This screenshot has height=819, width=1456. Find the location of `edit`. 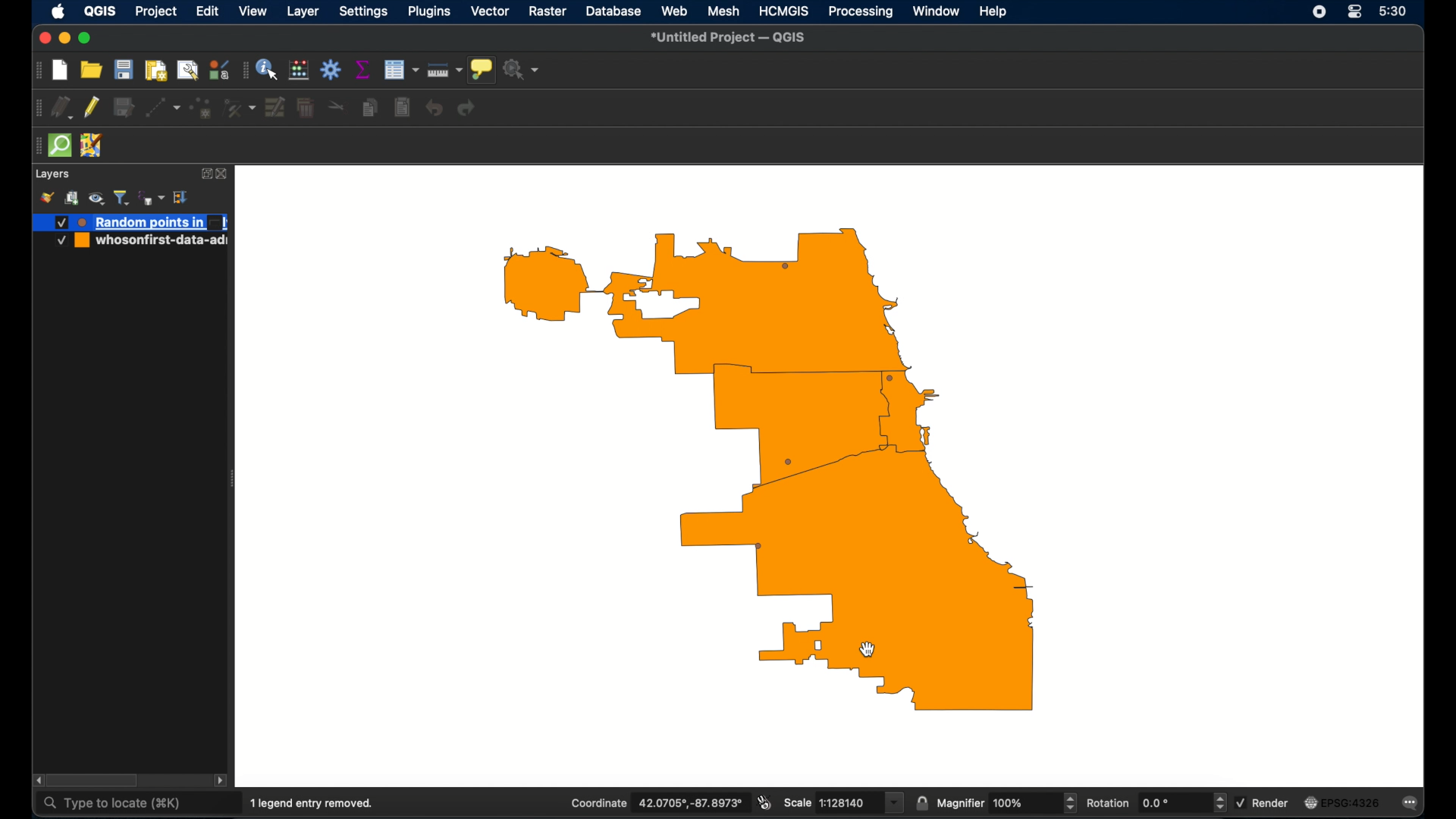

edit is located at coordinates (207, 11).